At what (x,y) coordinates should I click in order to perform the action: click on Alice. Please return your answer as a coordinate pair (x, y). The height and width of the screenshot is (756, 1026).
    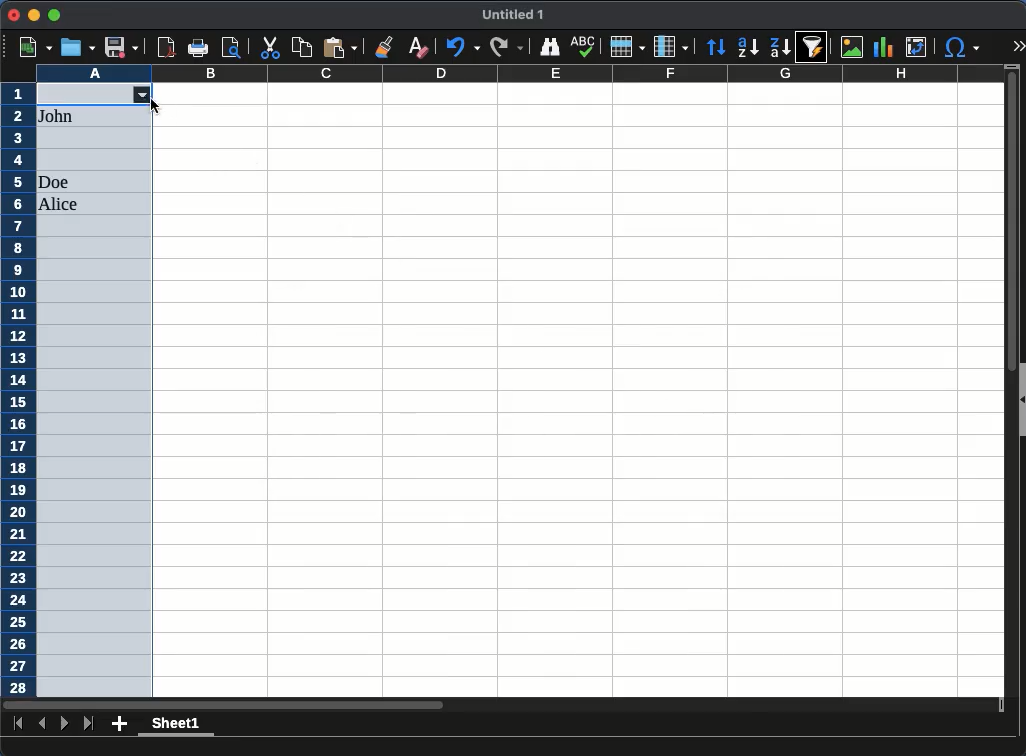
    Looking at the image, I should click on (60, 205).